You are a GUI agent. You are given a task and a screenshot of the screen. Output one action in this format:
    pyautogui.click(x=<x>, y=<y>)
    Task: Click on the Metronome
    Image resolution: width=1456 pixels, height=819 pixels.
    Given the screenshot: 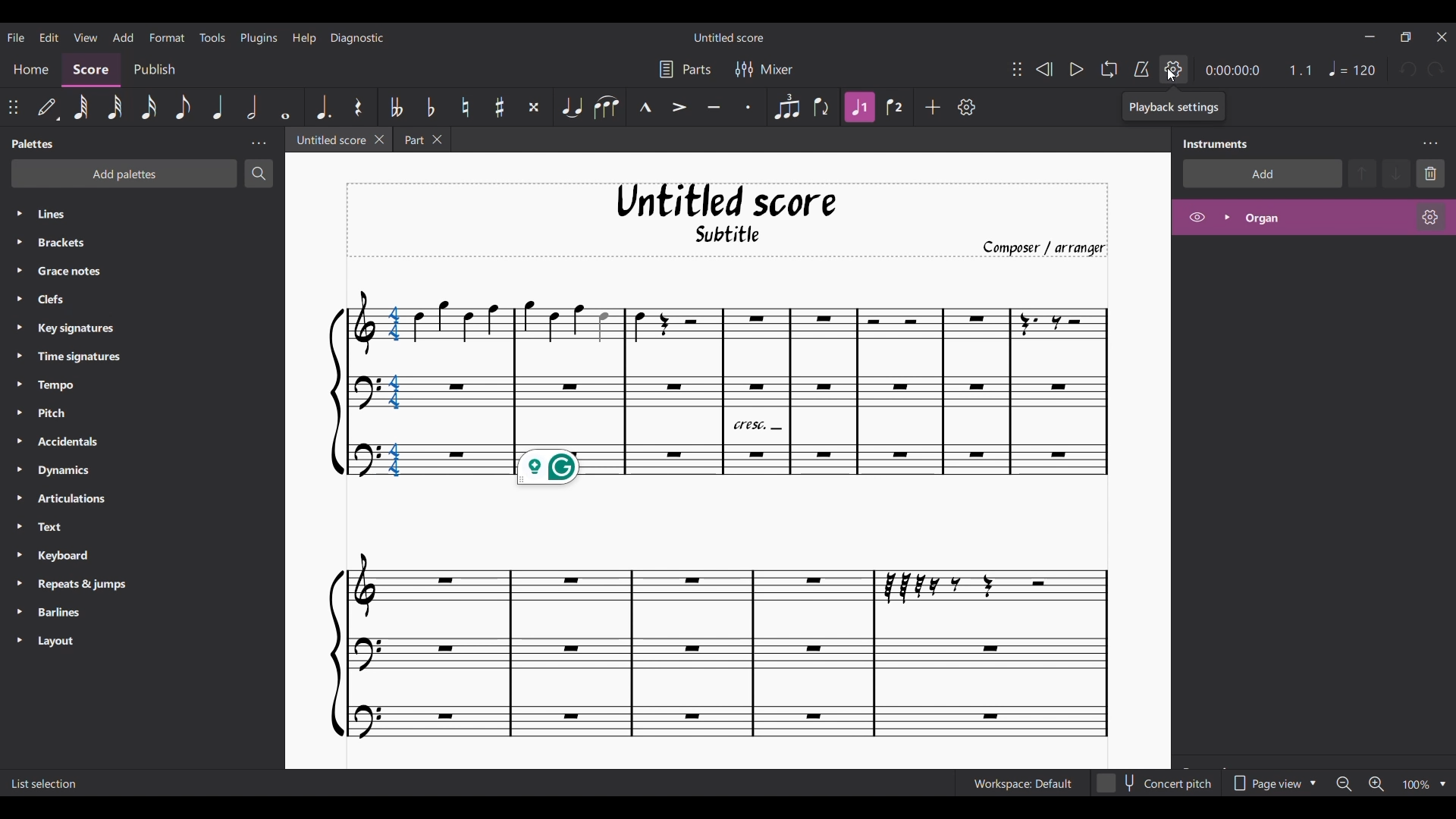 What is the action you would take?
    pyautogui.click(x=1141, y=68)
    